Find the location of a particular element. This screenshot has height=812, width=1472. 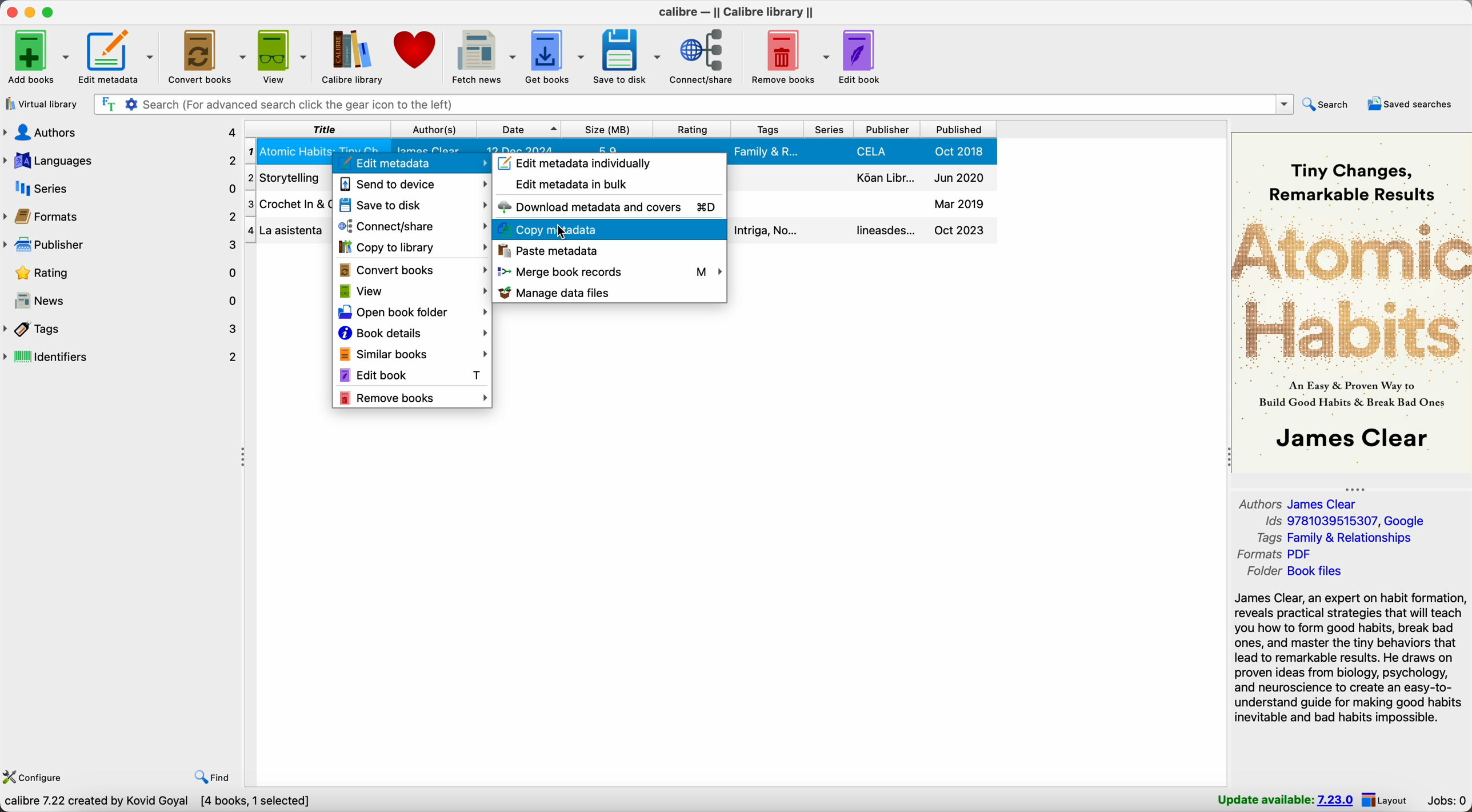

paste metadata is located at coordinates (548, 251).